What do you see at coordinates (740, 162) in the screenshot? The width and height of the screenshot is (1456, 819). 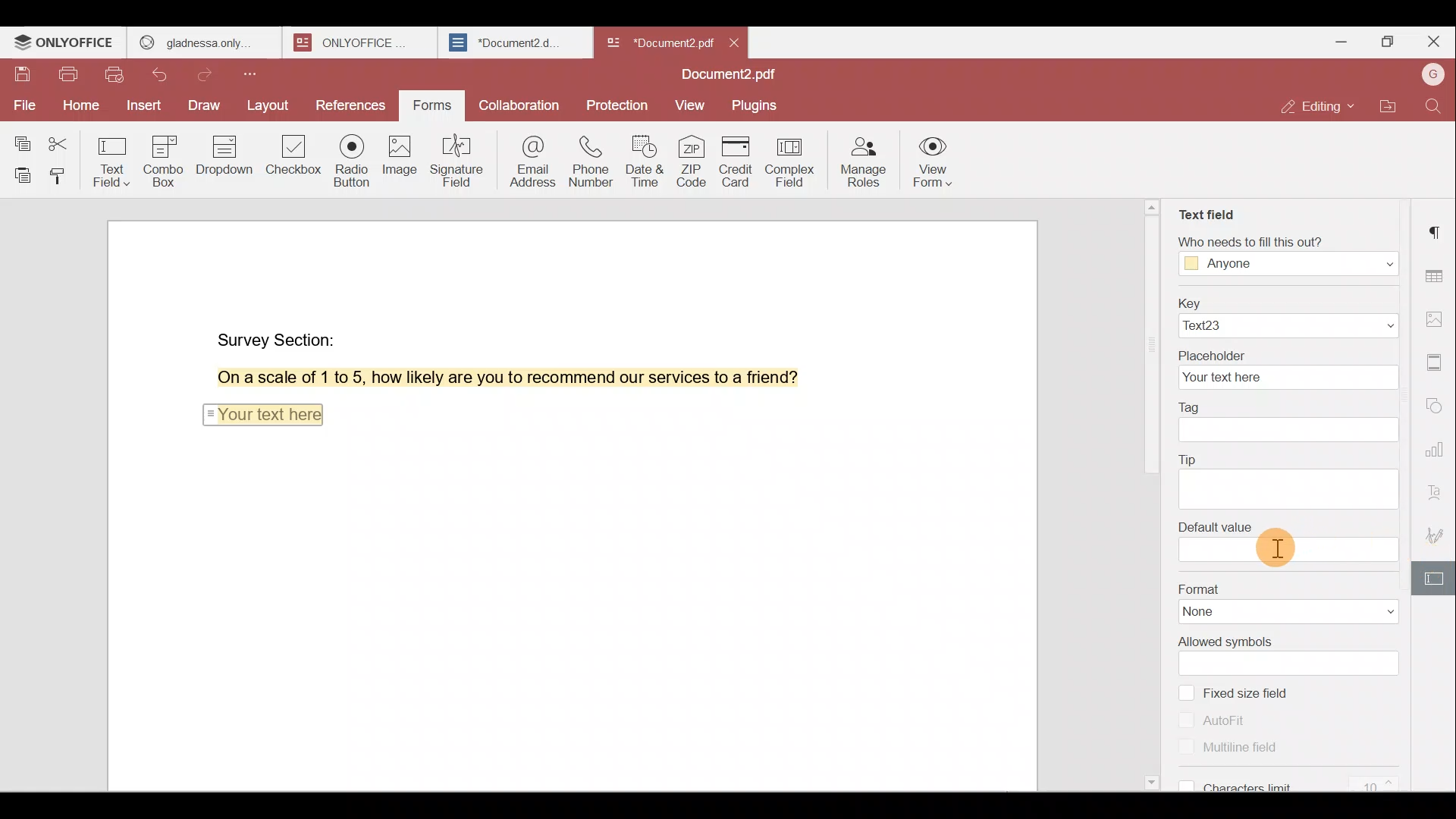 I see `Credit card` at bounding box center [740, 162].